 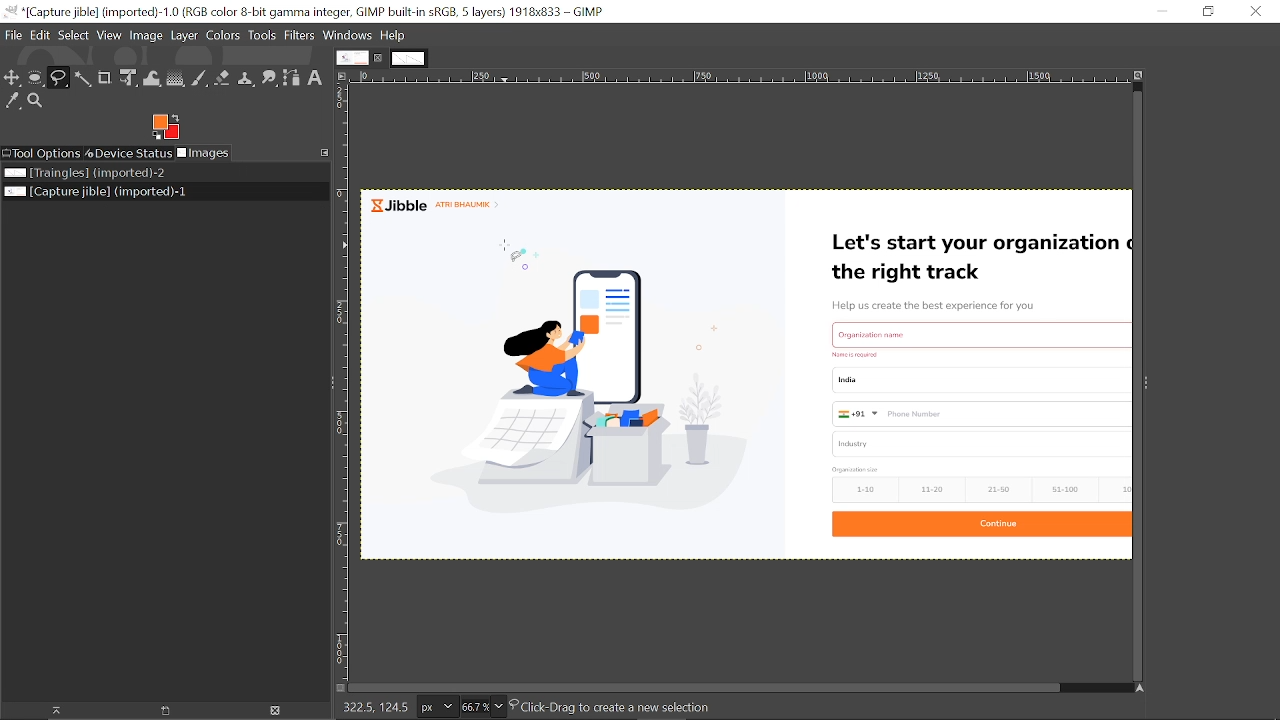 What do you see at coordinates (246, 78) in the screenshot?
I see `Clone tool` at bounding box center [246, 78].